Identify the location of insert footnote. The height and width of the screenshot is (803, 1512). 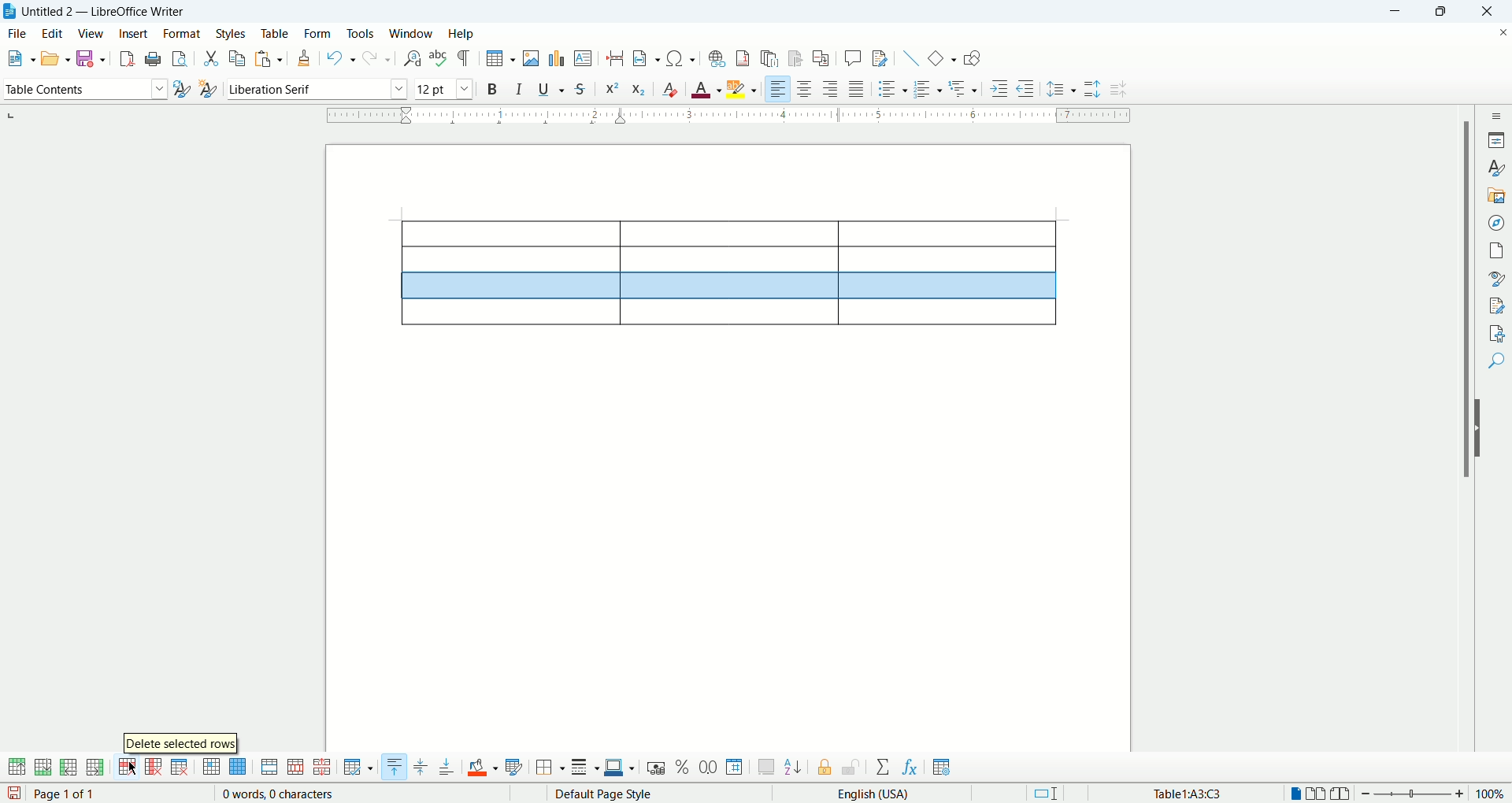
(743, 57).